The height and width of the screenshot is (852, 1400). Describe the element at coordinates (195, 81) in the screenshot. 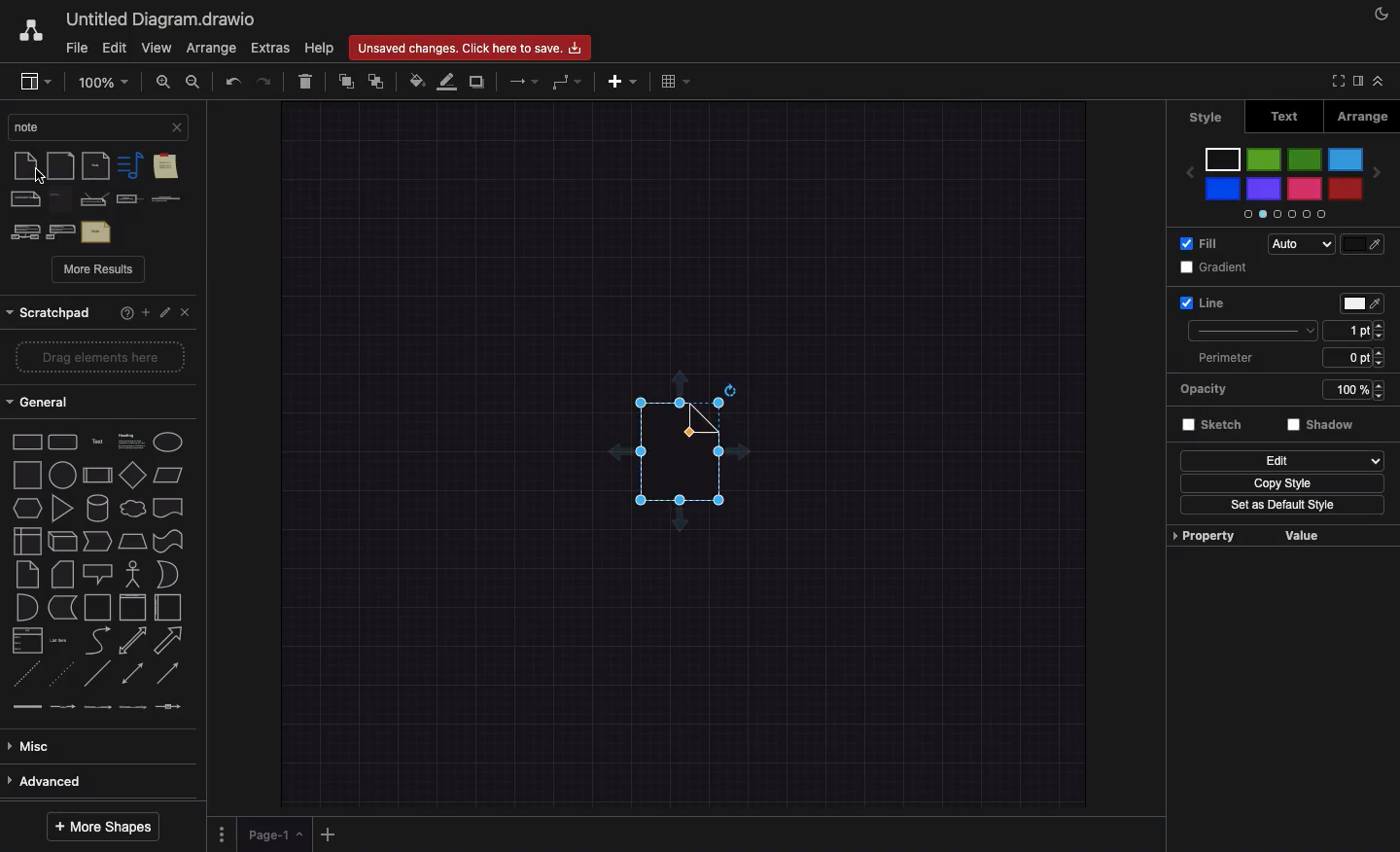

I see `Zoom out` at that location.